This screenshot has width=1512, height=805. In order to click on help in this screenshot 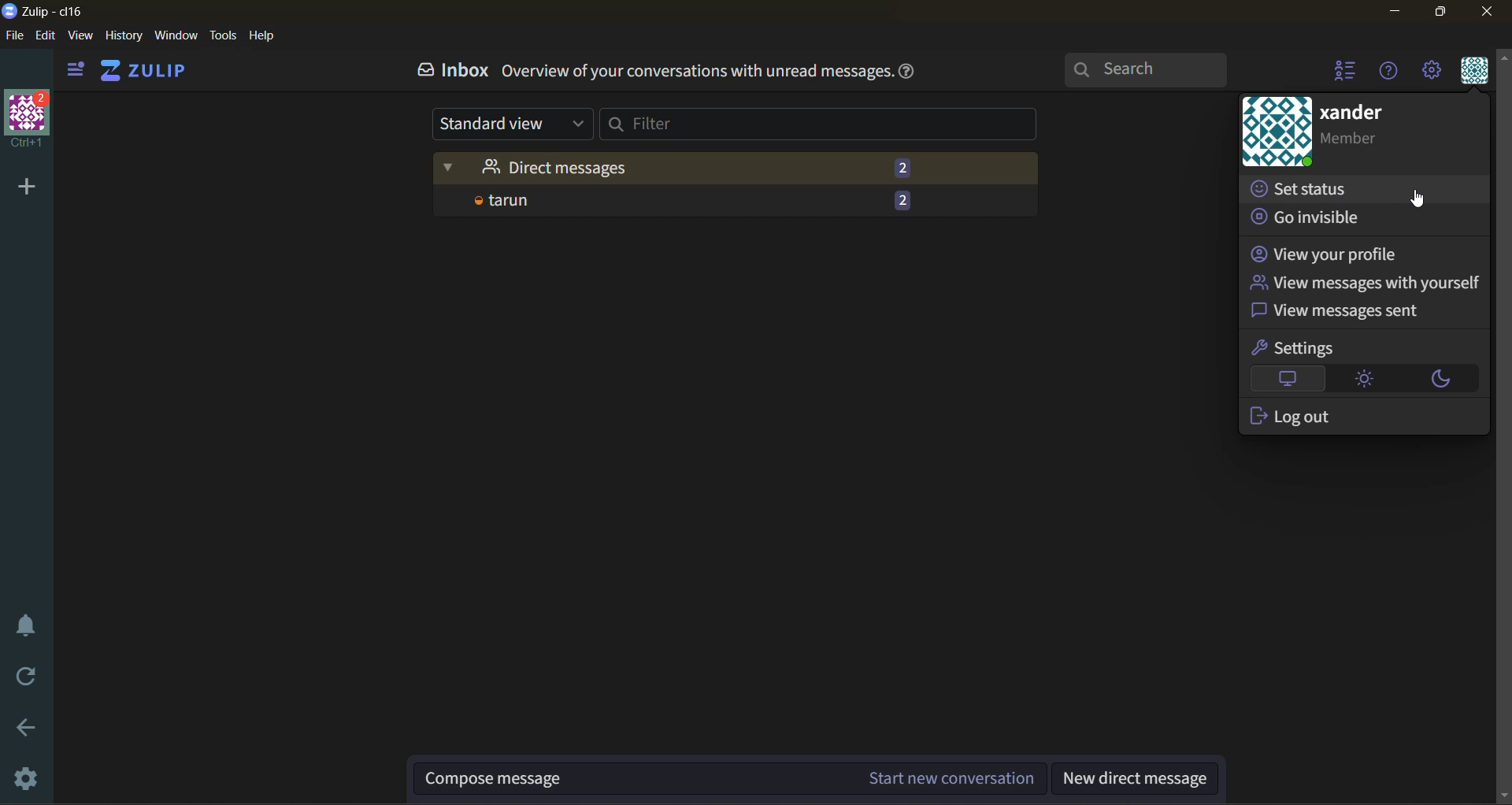, I will do `click(910, 70)`.